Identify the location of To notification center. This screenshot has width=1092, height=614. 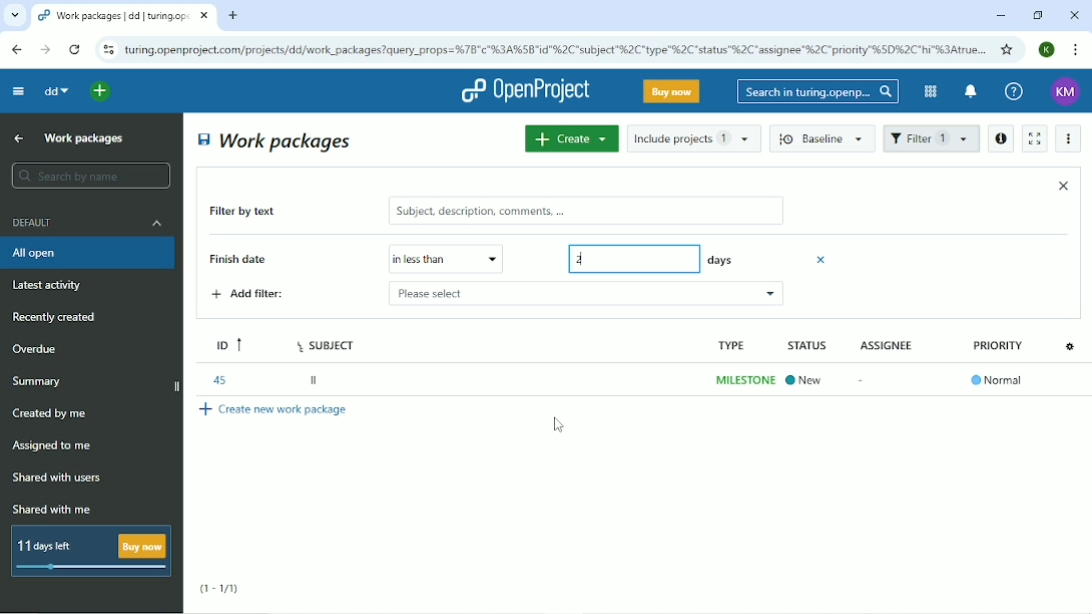
(969, 93).